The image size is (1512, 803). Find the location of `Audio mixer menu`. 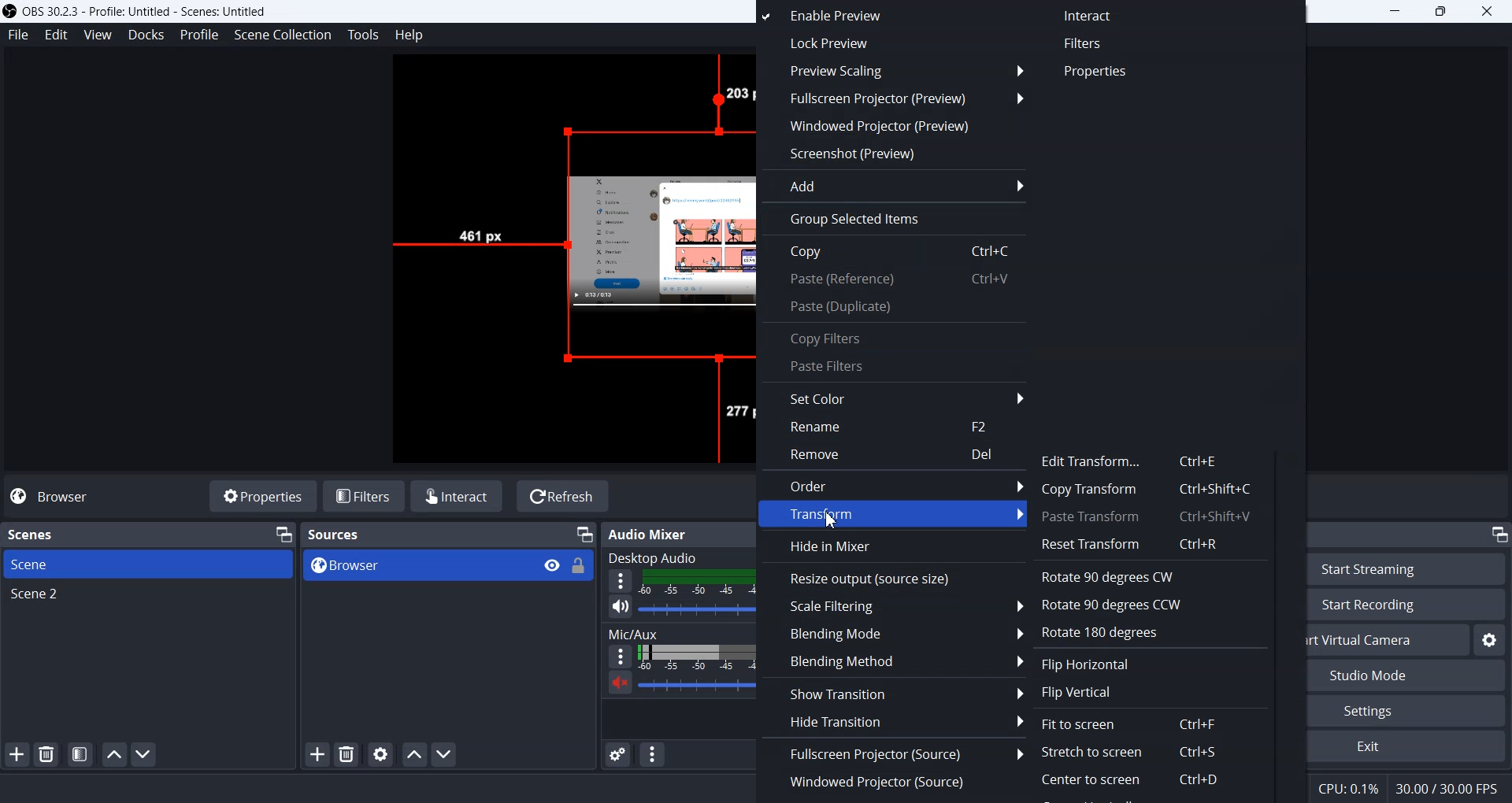

Audio mixer menu is located at coordinates (651, 754).